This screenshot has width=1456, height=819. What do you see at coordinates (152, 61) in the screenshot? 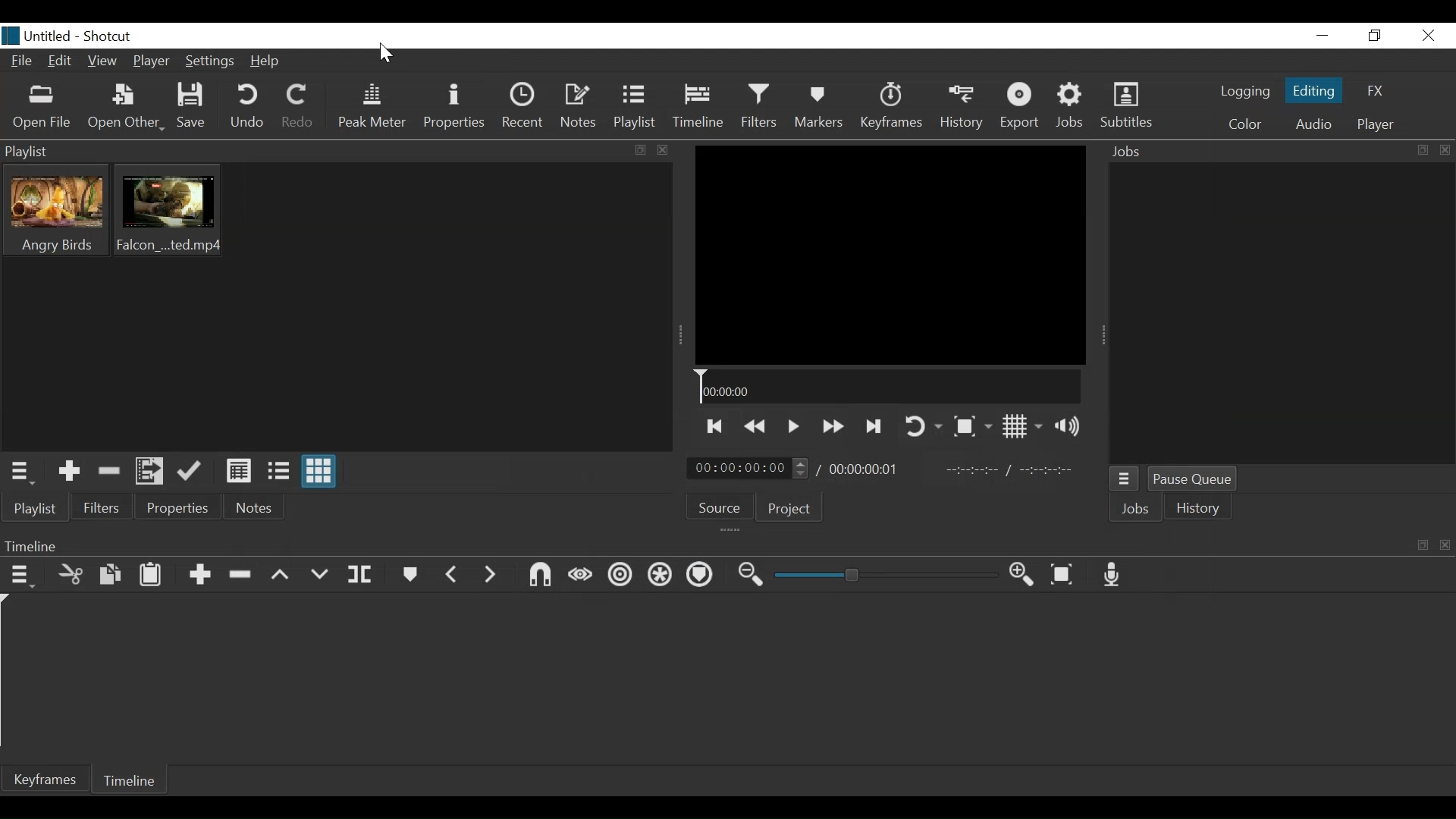
I see `Player` at bounding box center [152, 61].